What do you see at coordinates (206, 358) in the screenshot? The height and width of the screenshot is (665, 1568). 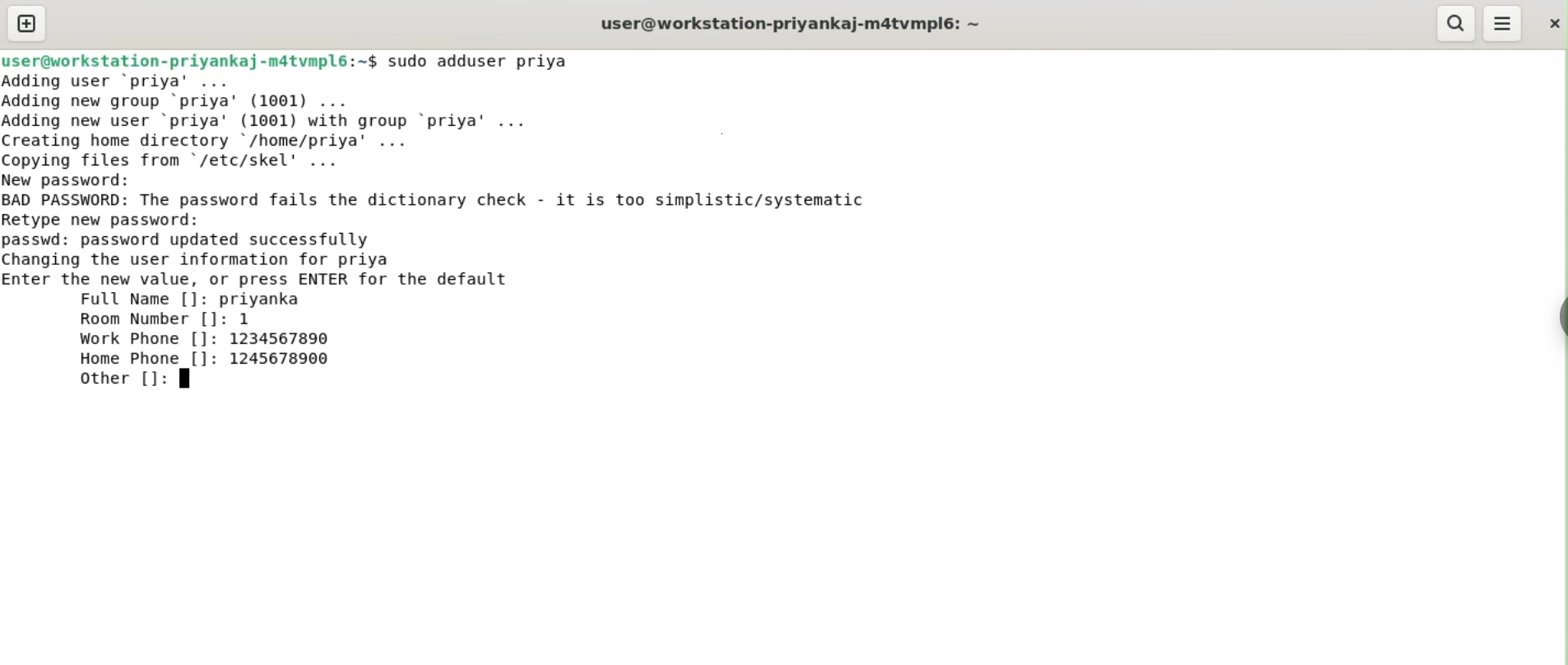 I see `Home Phone []: 1245678900` at bounding box center [206, 358].